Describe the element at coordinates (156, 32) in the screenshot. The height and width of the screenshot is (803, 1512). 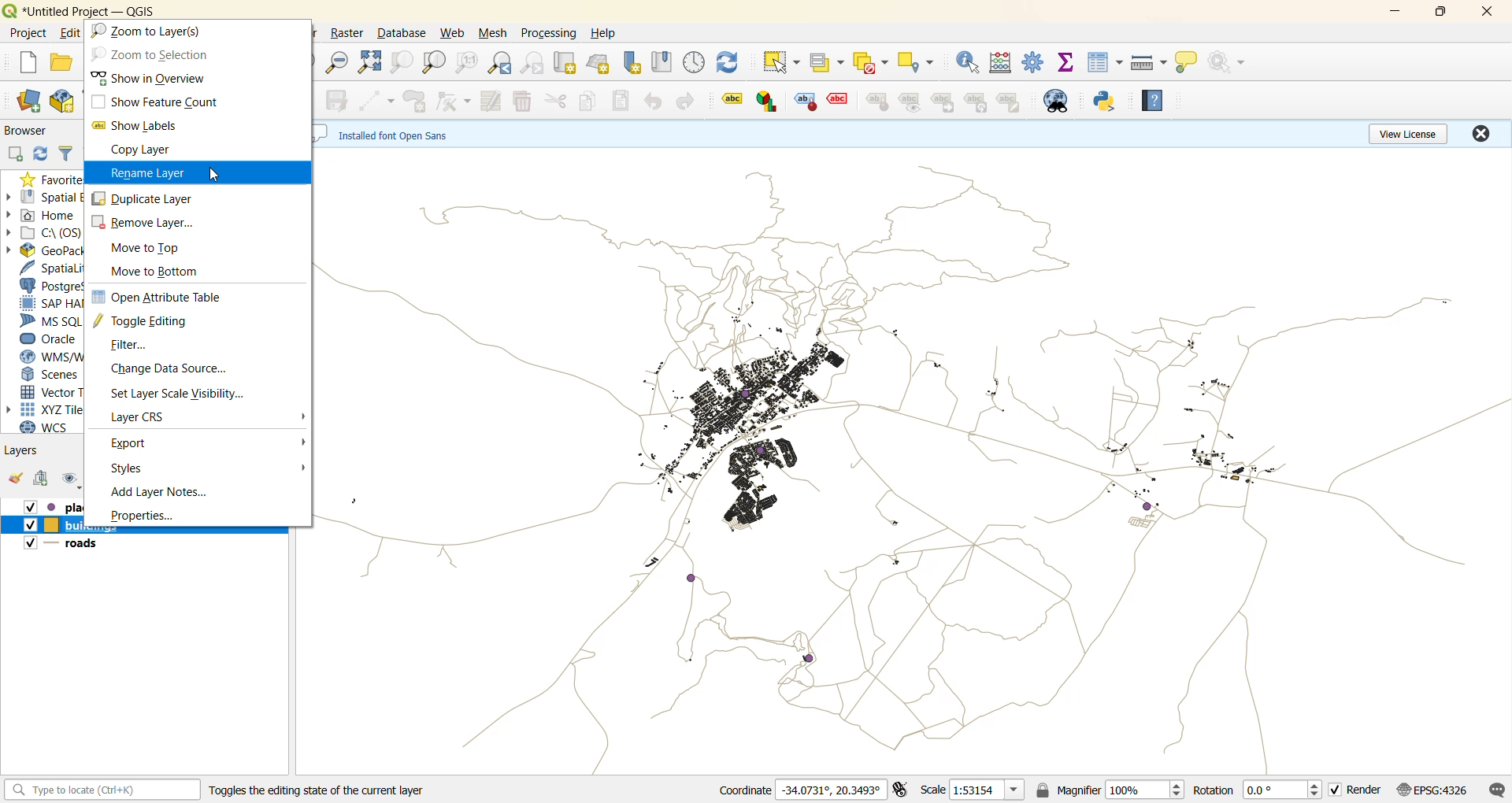
I see `zoom to layer` at that location.